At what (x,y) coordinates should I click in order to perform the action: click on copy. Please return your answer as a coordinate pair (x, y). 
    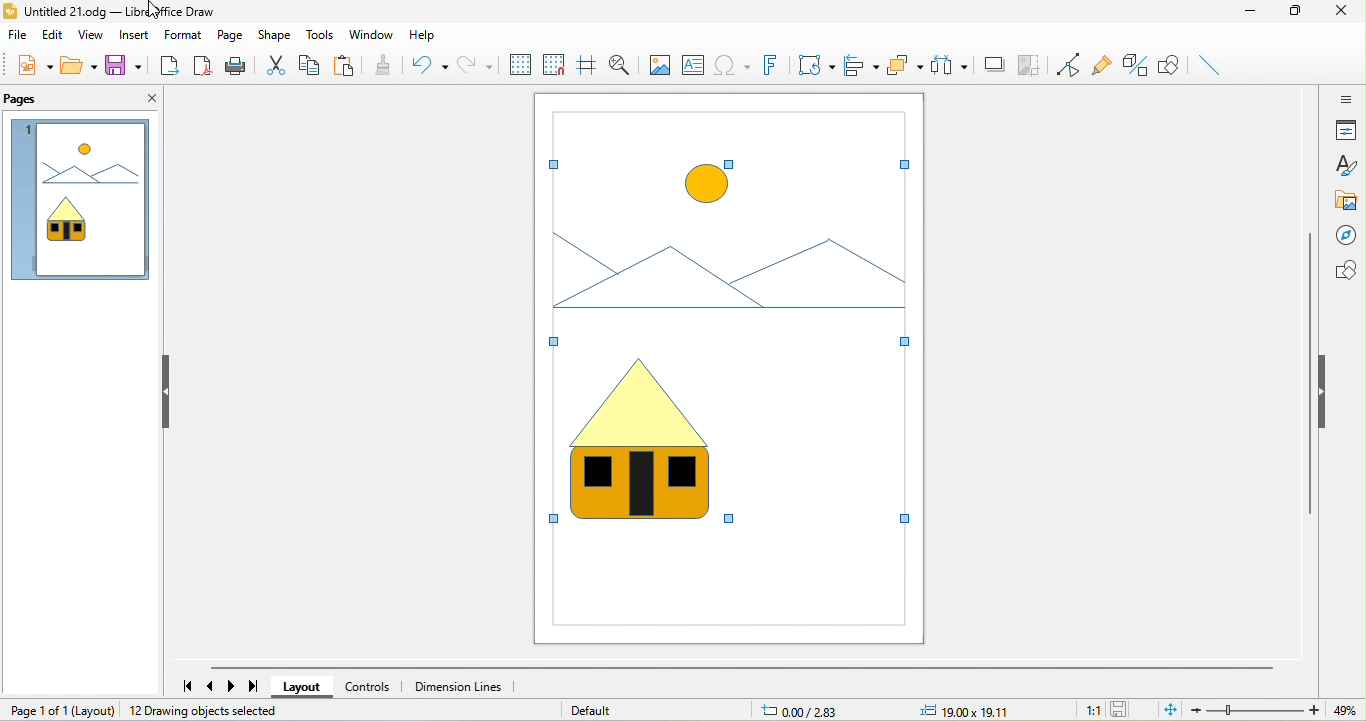
    Looking at the image, I should click on (311, 64).